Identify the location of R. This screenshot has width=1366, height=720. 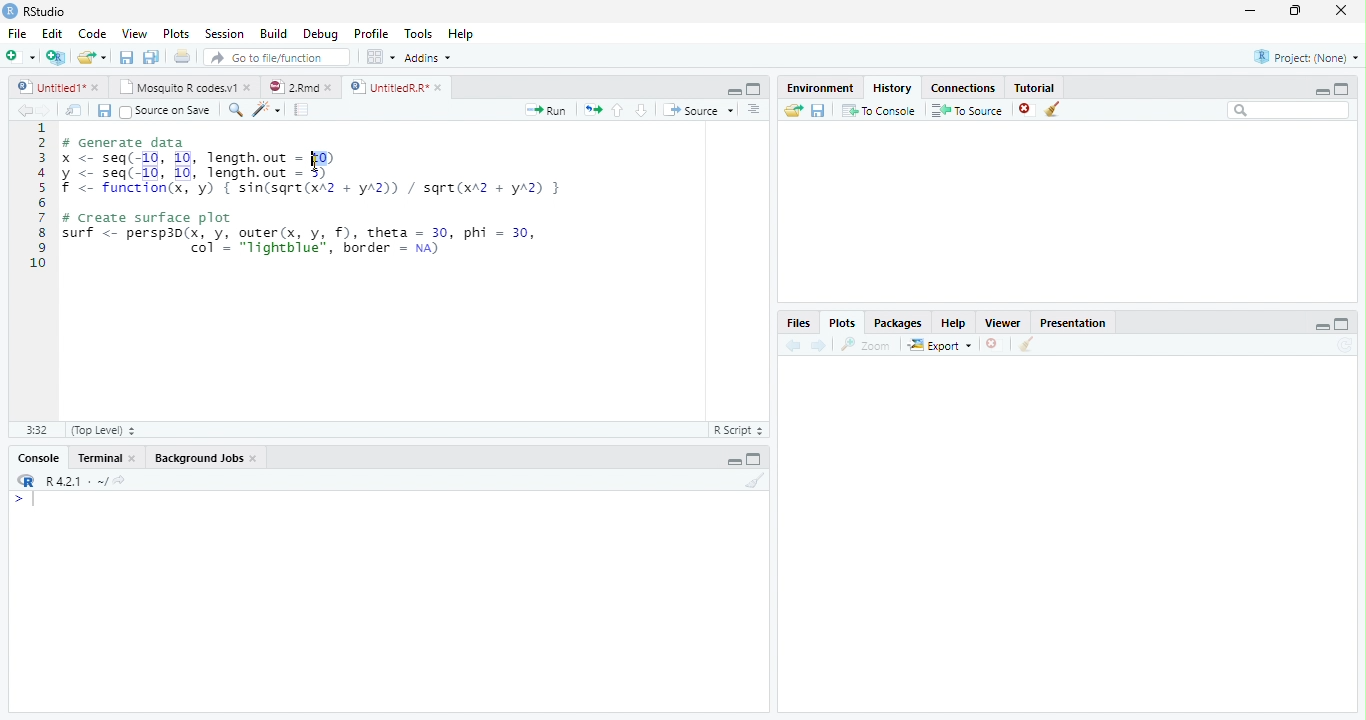
(24, 480).